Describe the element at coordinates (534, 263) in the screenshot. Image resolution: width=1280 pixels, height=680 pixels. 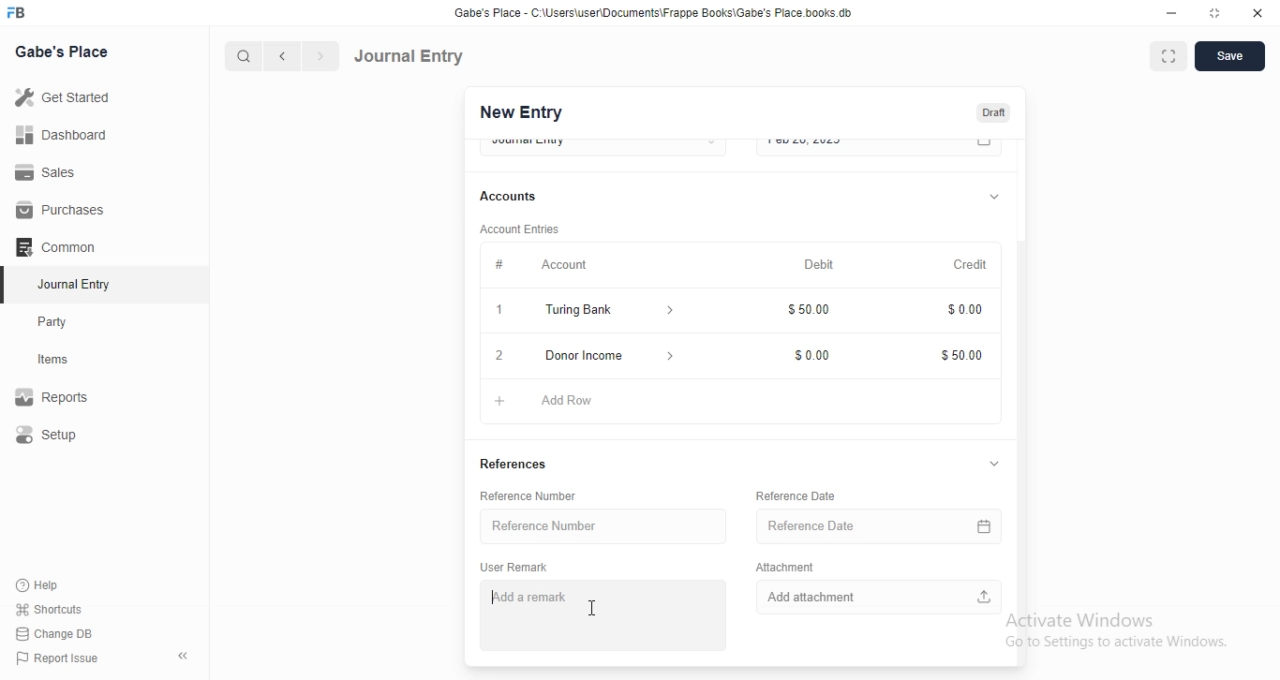
I see `Account` at that location.